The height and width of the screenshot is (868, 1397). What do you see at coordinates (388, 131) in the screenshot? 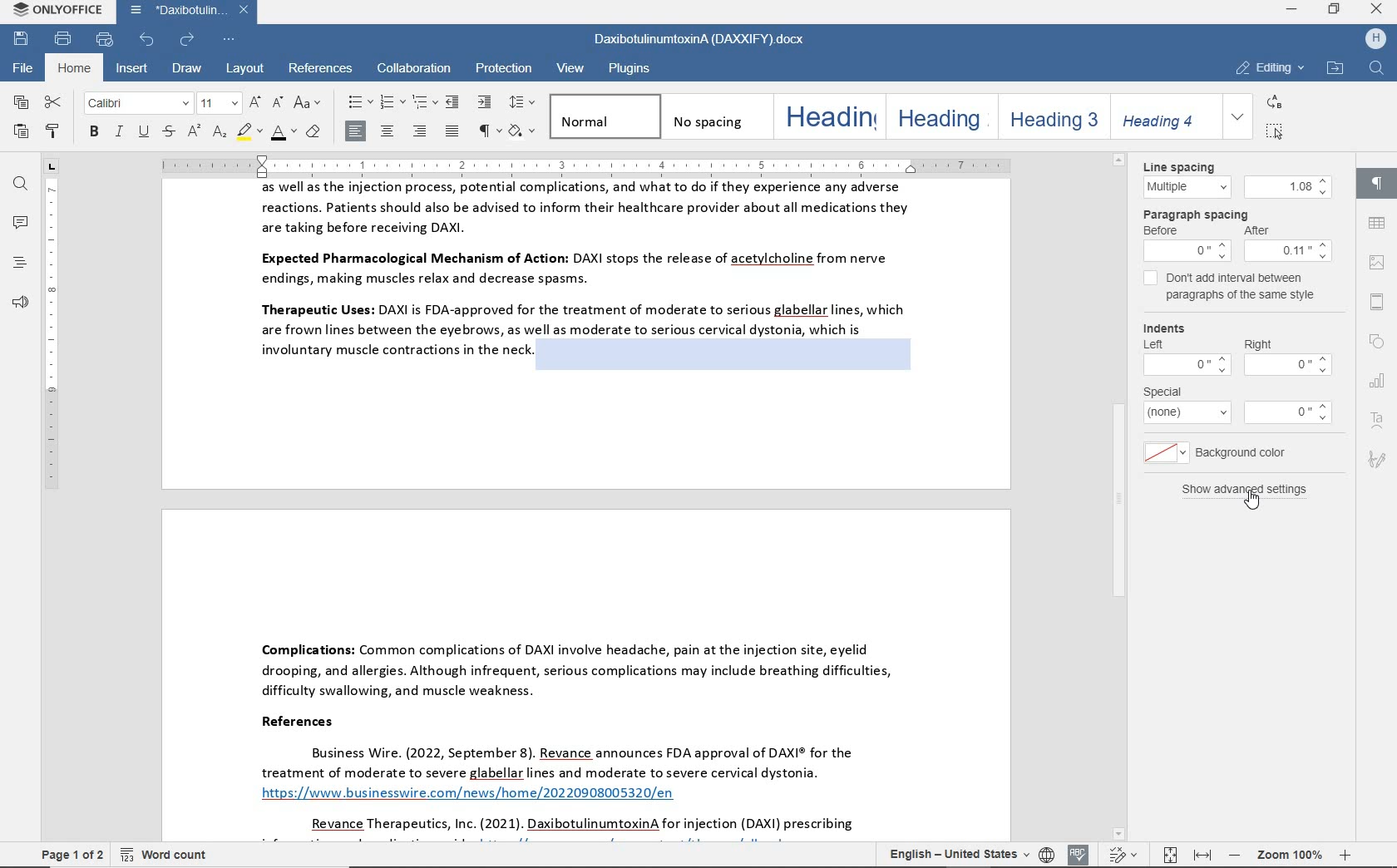
I see `align center` at bounding box center [388, 131].